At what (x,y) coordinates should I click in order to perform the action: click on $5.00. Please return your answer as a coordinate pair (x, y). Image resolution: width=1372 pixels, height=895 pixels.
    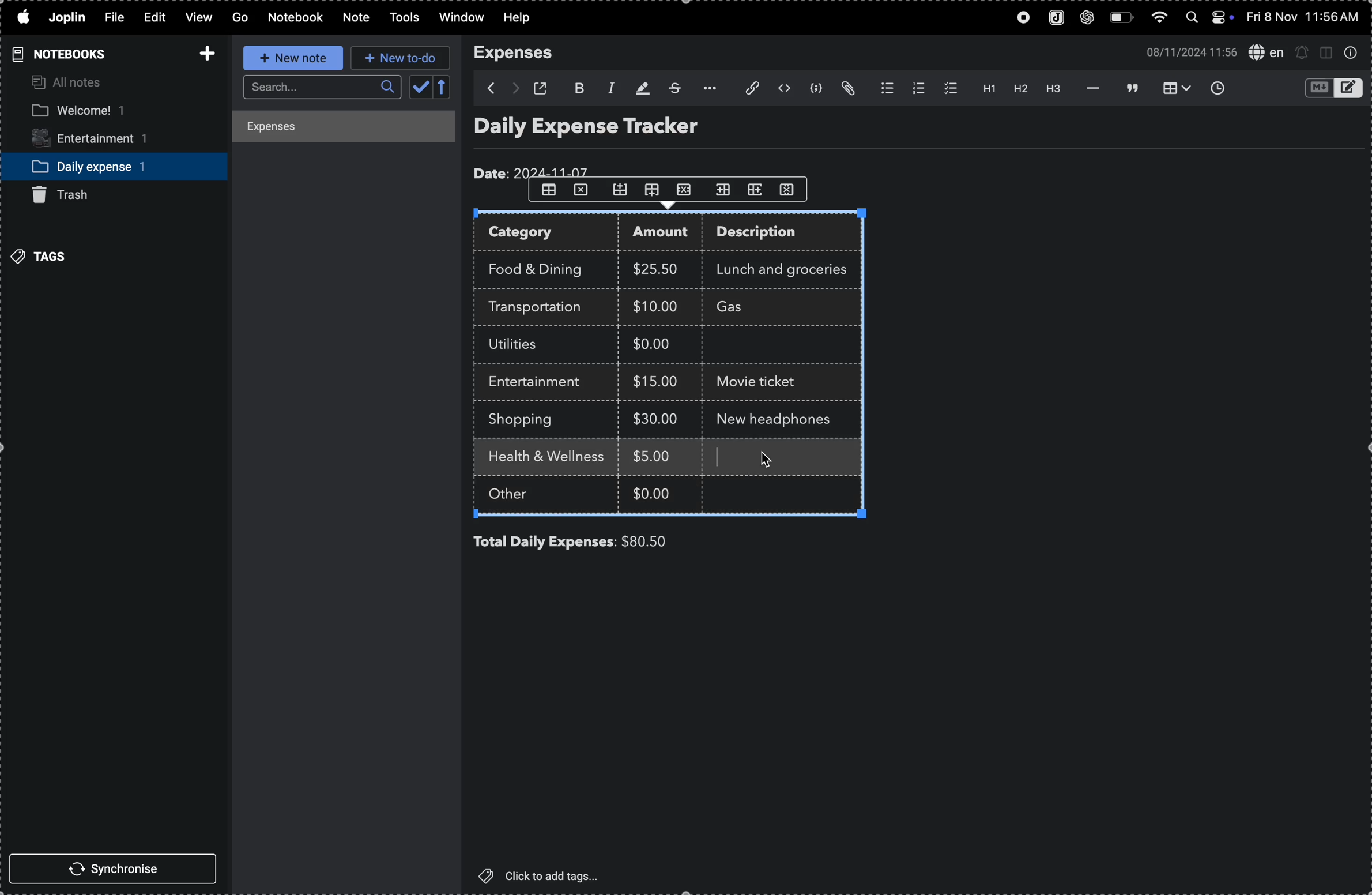
    Looking at the image, I should click on (654, 456).